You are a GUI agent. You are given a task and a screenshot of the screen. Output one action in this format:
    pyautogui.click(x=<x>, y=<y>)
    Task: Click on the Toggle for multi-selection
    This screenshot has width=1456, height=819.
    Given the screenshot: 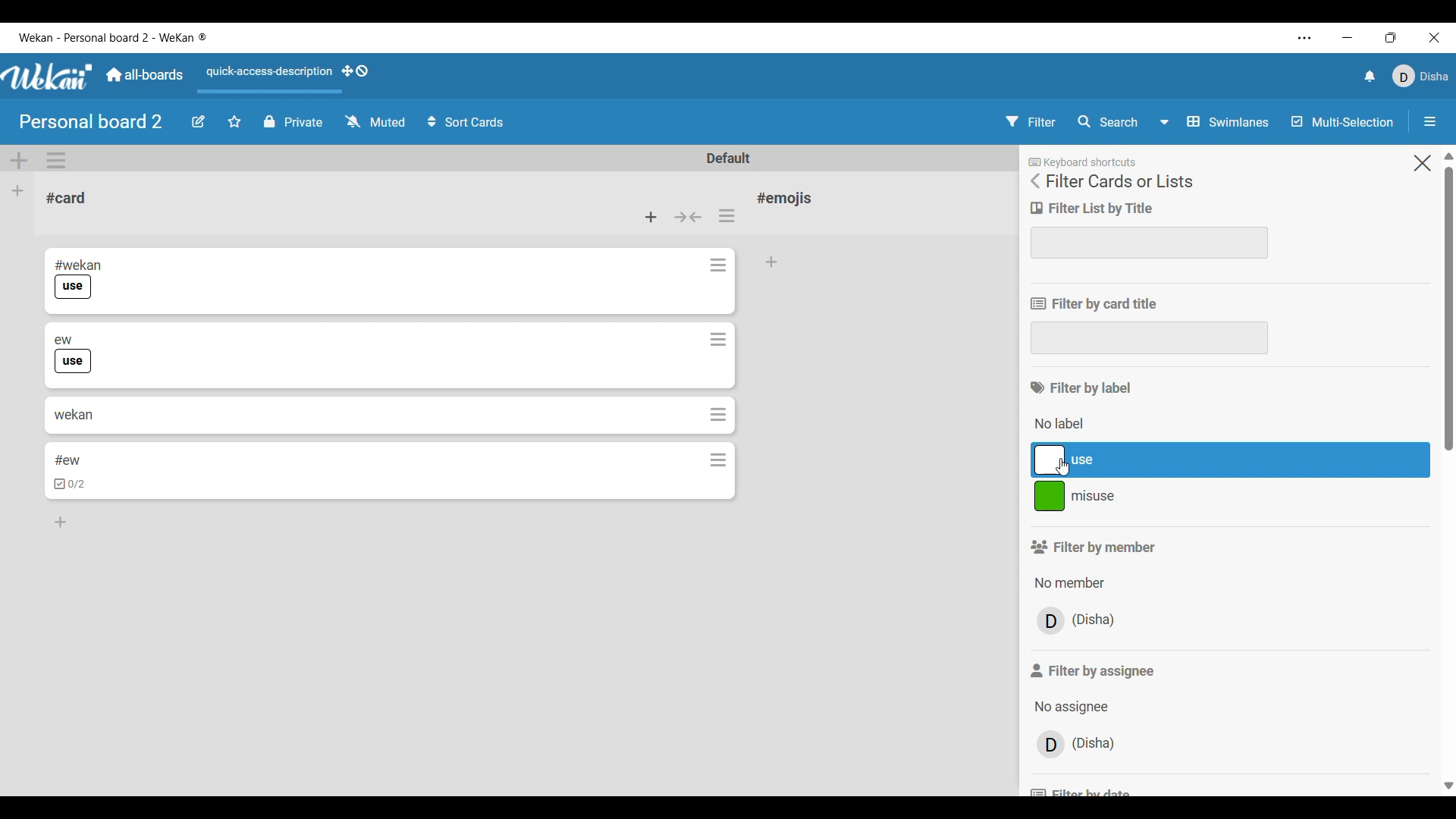 What is the action you would take?
    pyautogui.click(x=1343, y=121)
    